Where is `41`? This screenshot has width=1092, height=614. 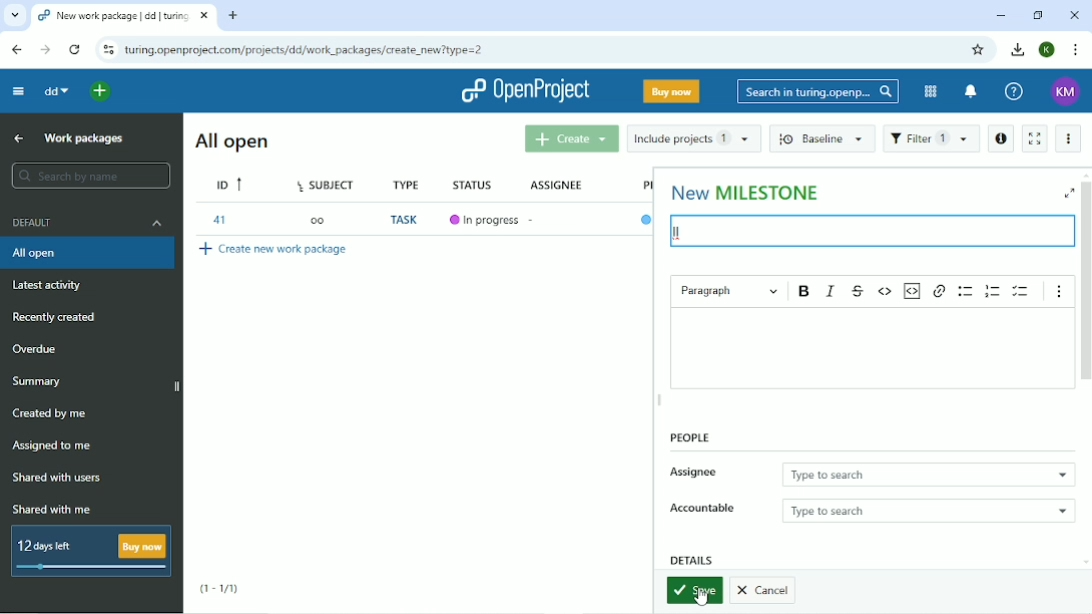 41 is located at coordinates (219, 219).